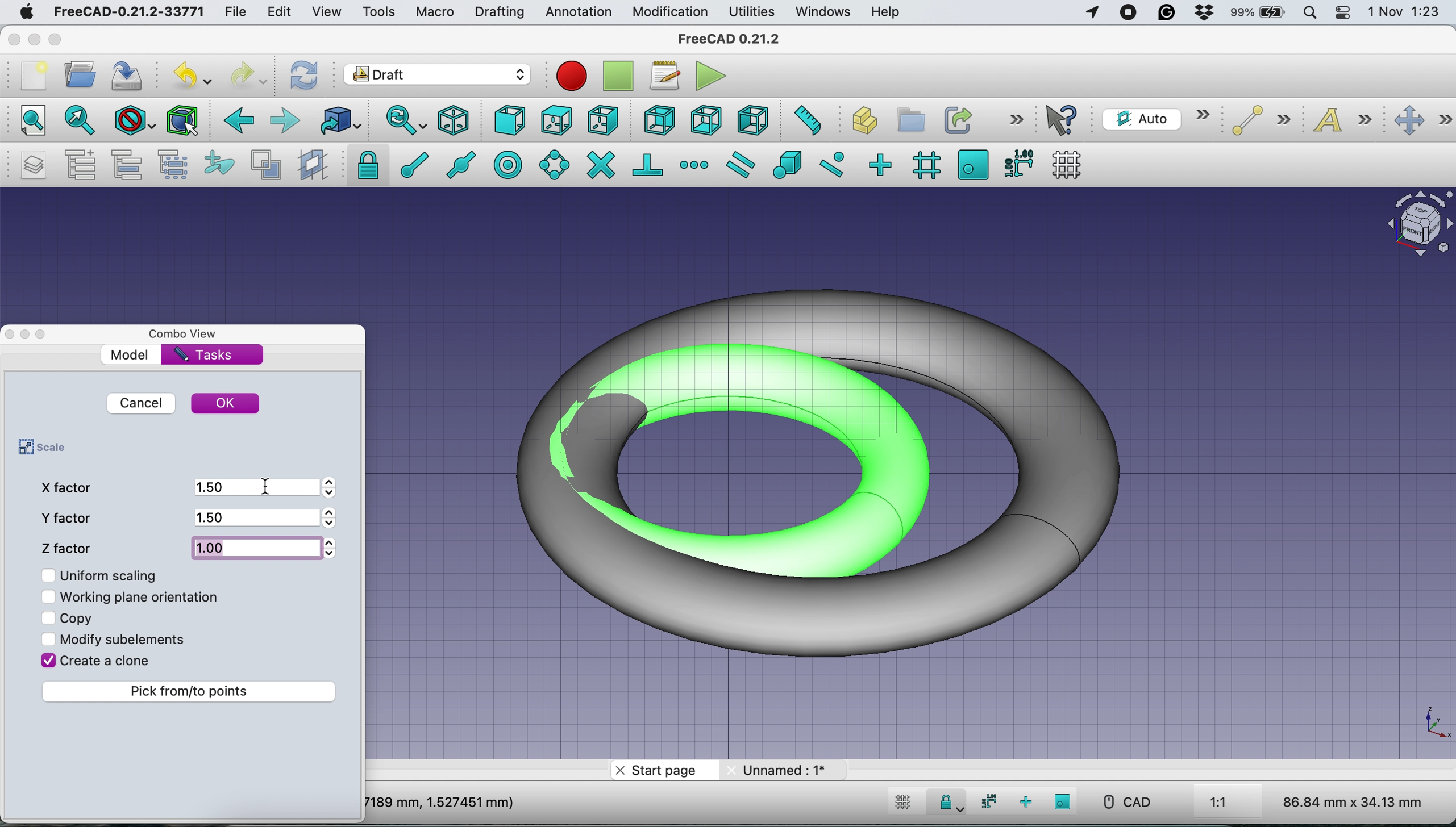 The image size is (1456, 827). I want to click on snap near, so click(833, 164).